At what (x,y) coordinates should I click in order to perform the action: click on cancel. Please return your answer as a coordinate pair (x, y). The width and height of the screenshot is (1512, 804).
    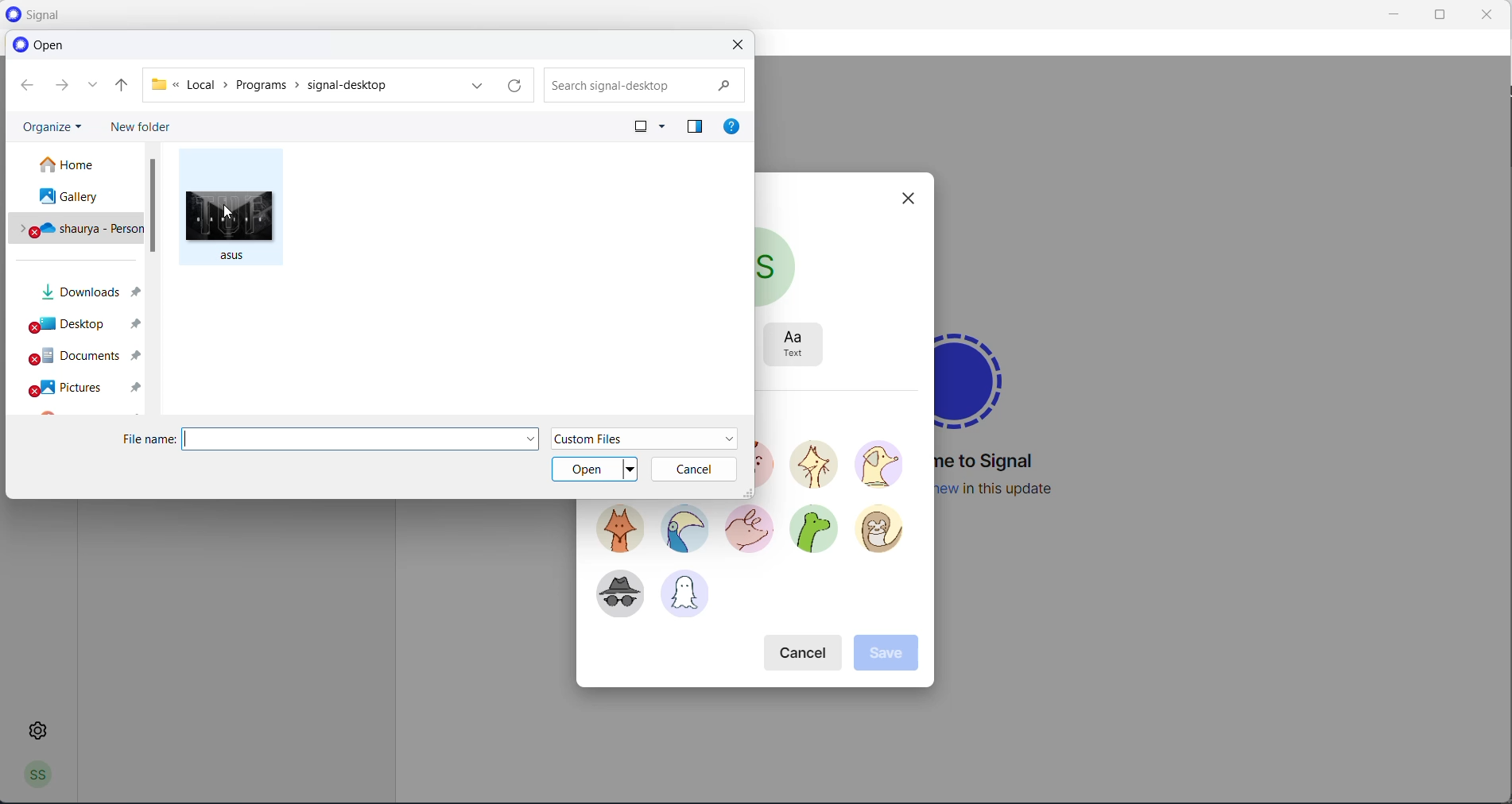
    Looking at the image, I should click on (696, 470).